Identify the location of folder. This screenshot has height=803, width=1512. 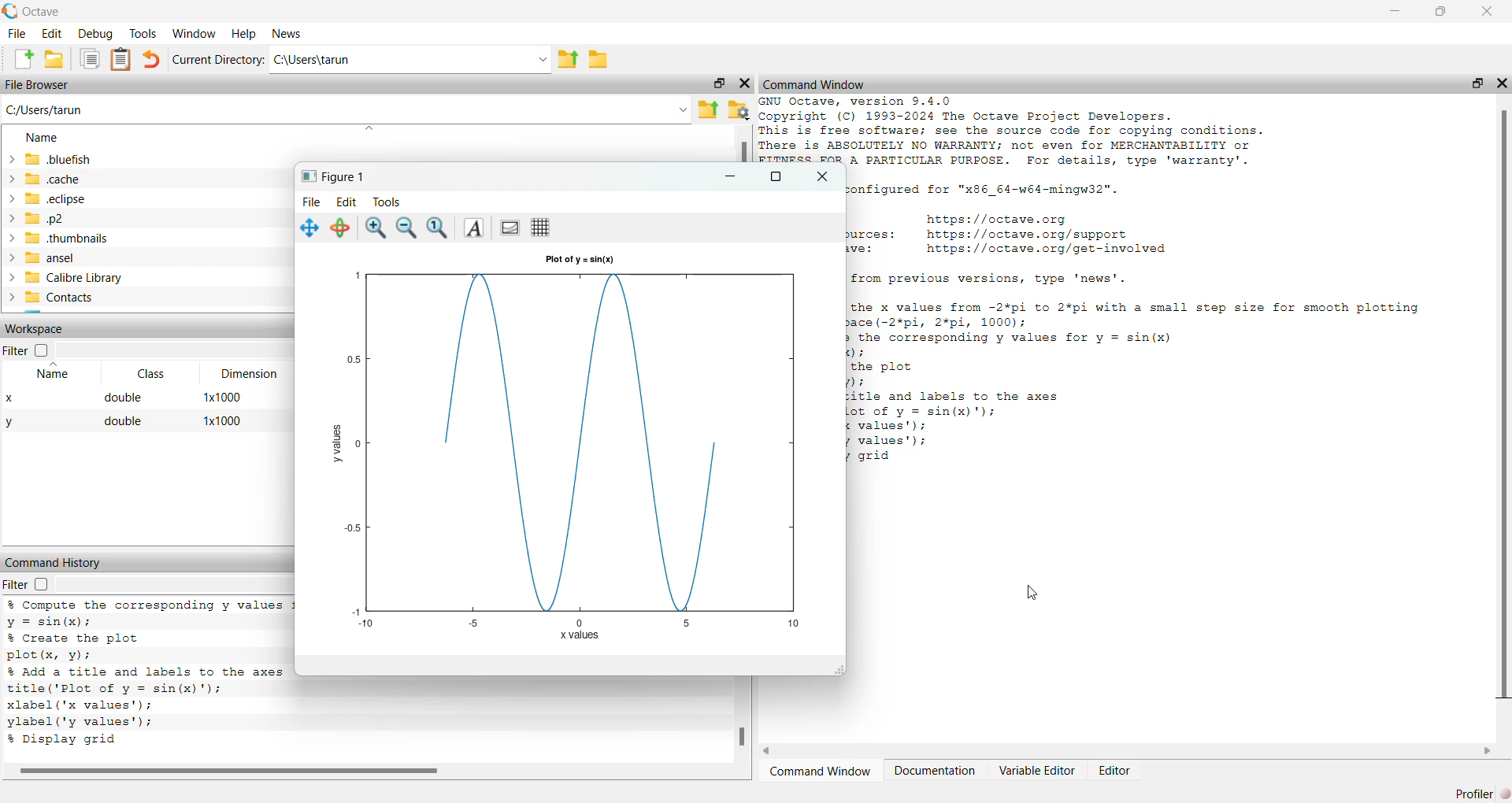
(598, 60).